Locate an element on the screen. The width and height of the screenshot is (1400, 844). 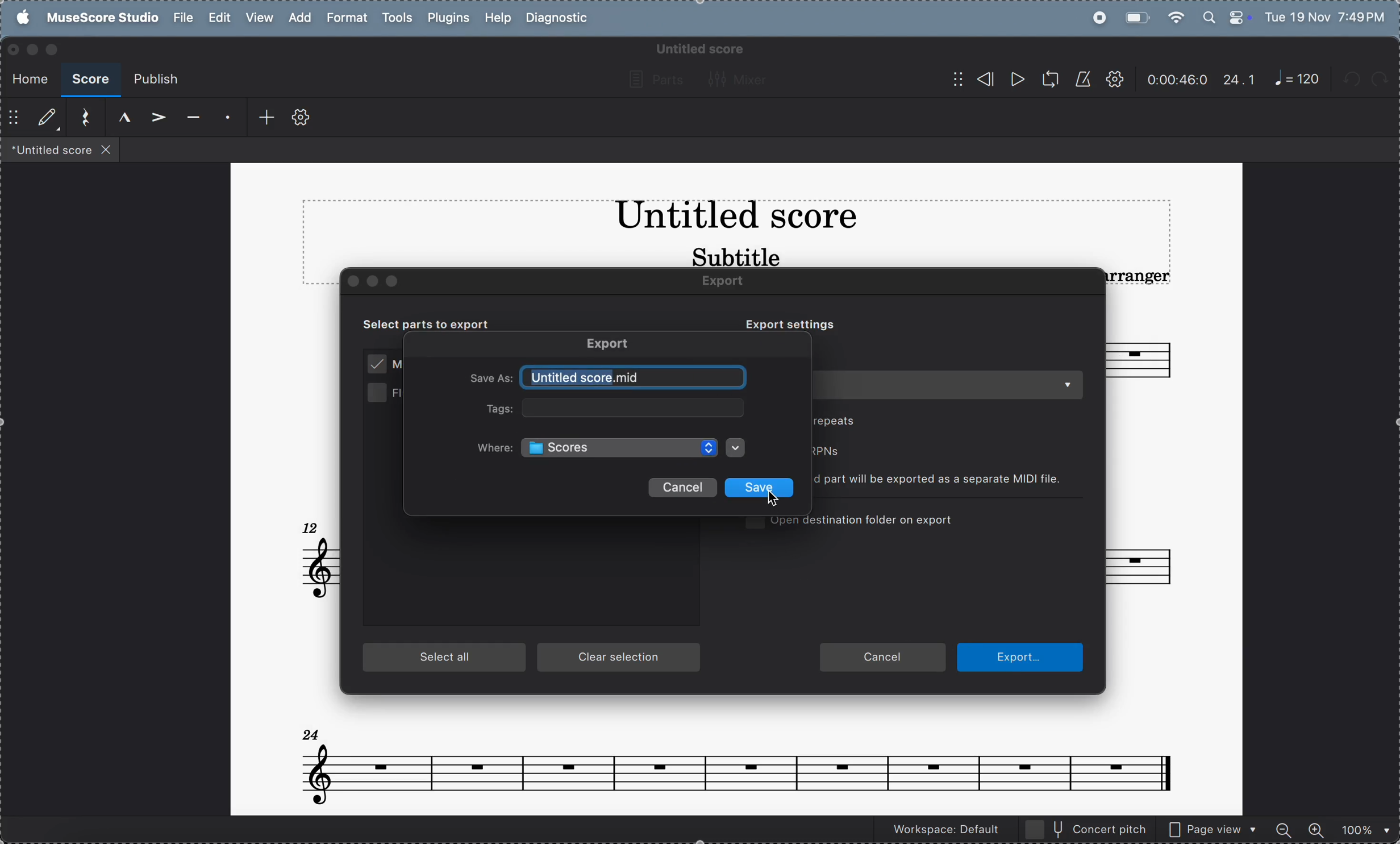
redo is located at coordinates (1386, 80).